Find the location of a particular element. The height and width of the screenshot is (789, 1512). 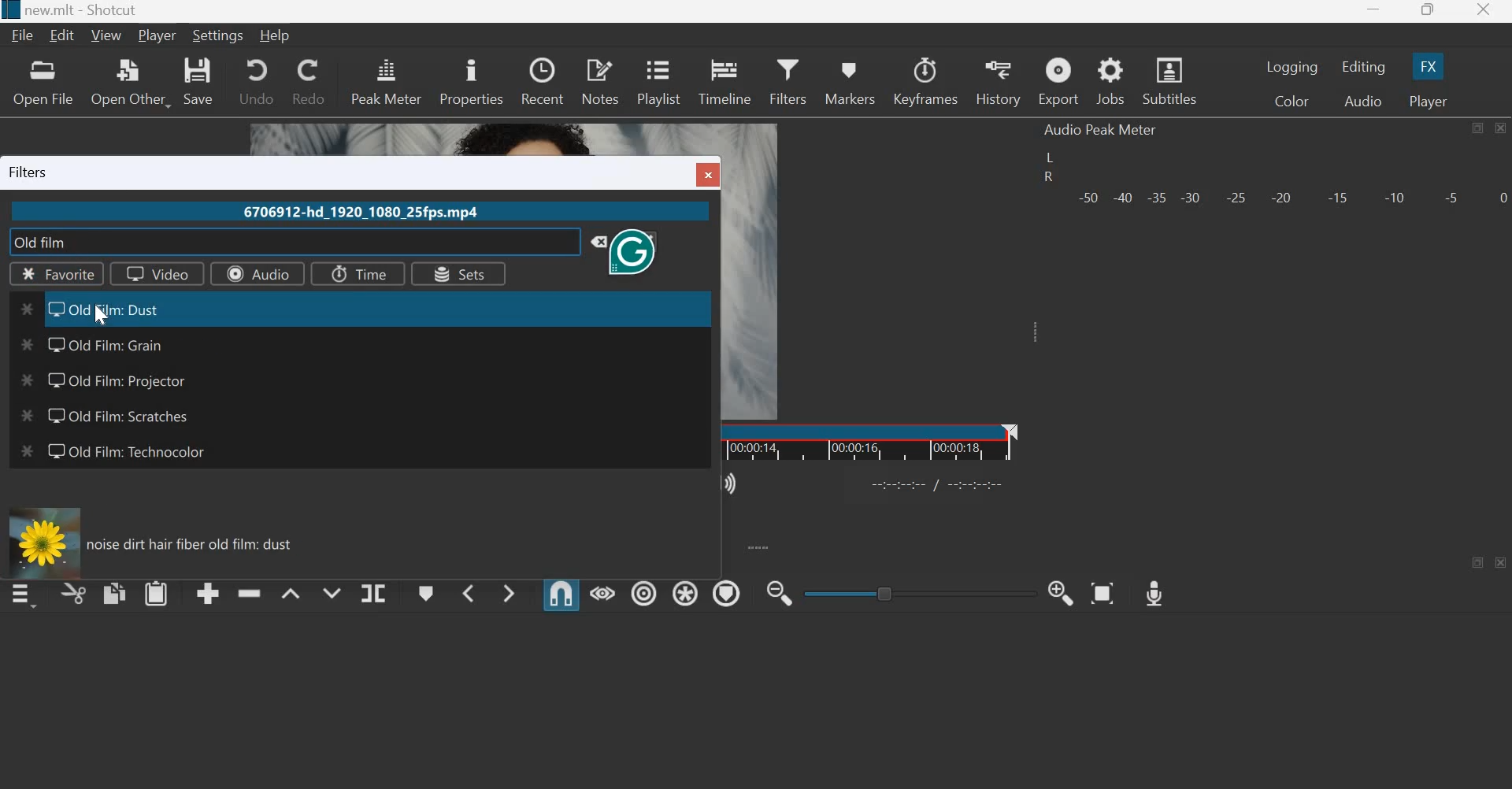

Old film: Scratches is located at coordinates (143, 414).